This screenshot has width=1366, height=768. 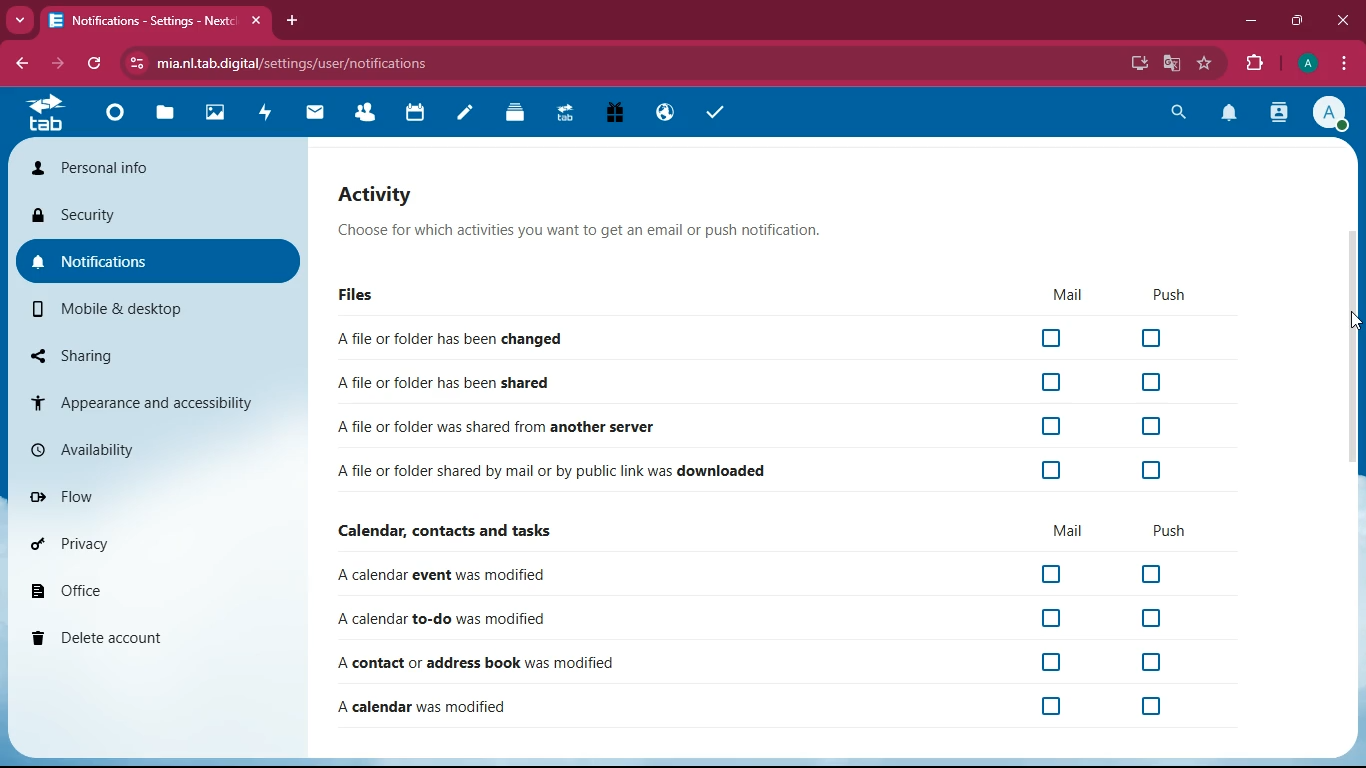 I want to click on google translate, so click(x=1174, y=61).